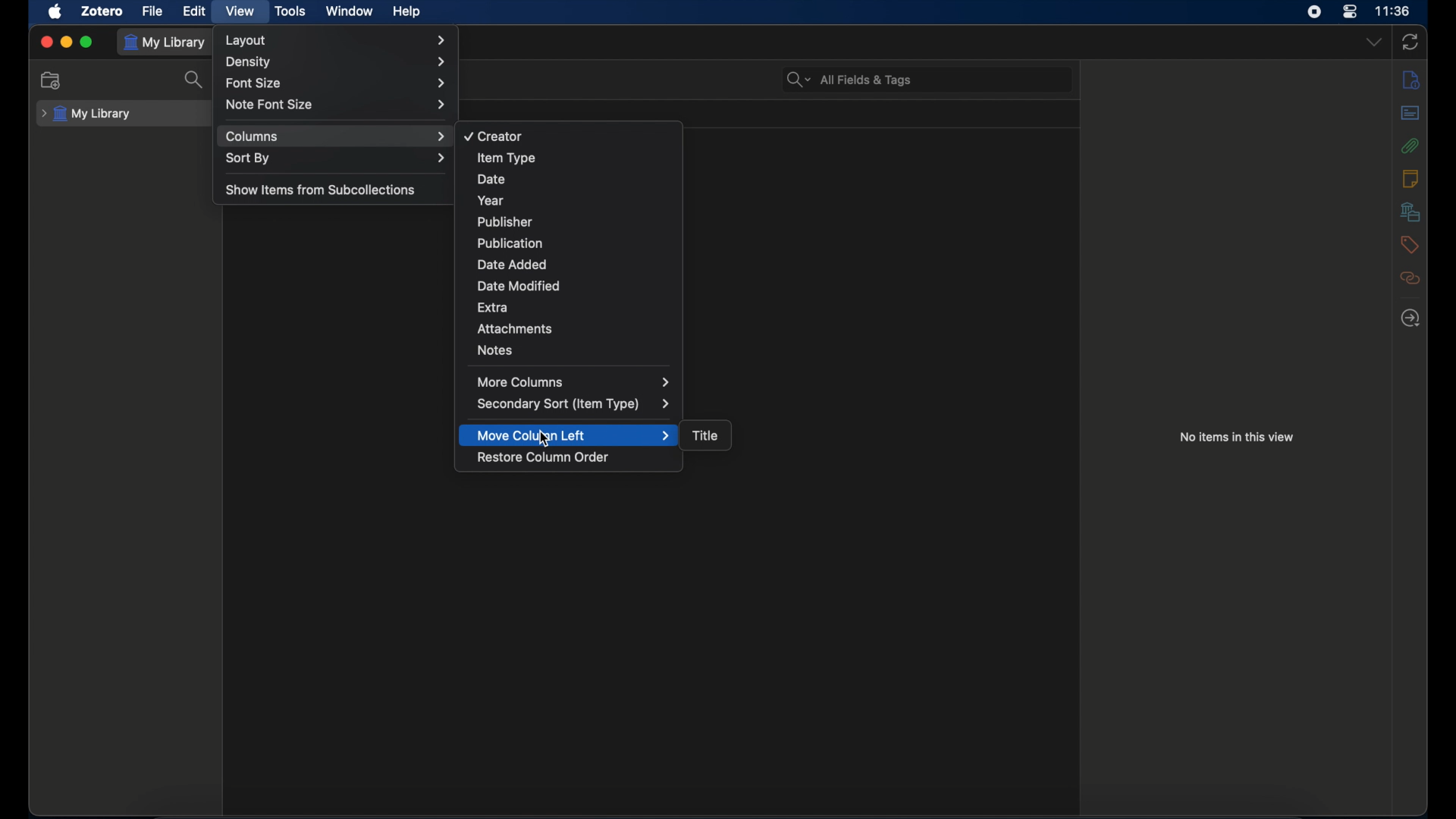 This screenshot has height=819, width=1456. What do you see at coordinates (336, 40) in the screenshot?
I see `layout` at bounding box center [336, 40].